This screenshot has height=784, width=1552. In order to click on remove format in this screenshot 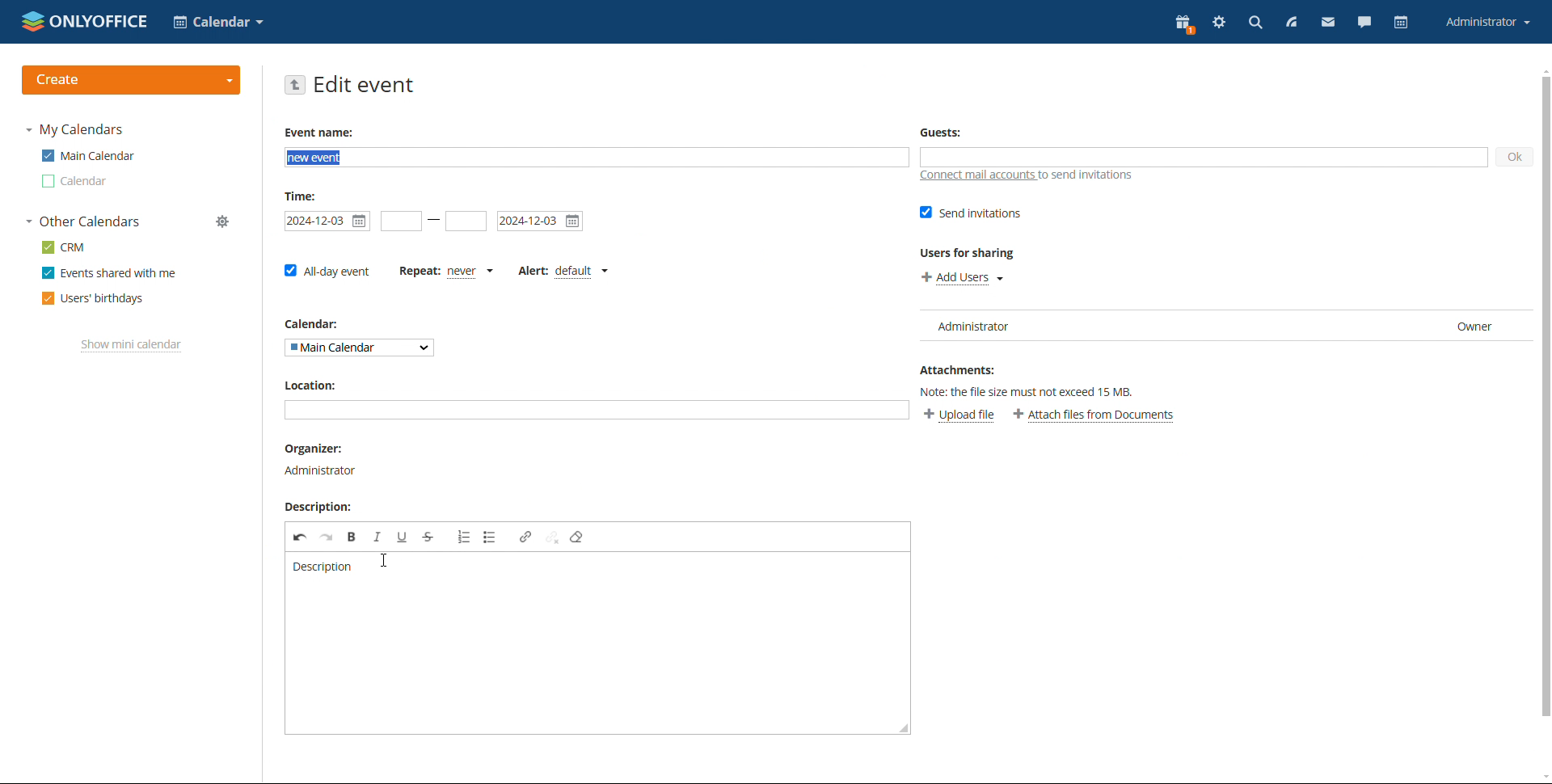, I will do `click(576, 537)`.